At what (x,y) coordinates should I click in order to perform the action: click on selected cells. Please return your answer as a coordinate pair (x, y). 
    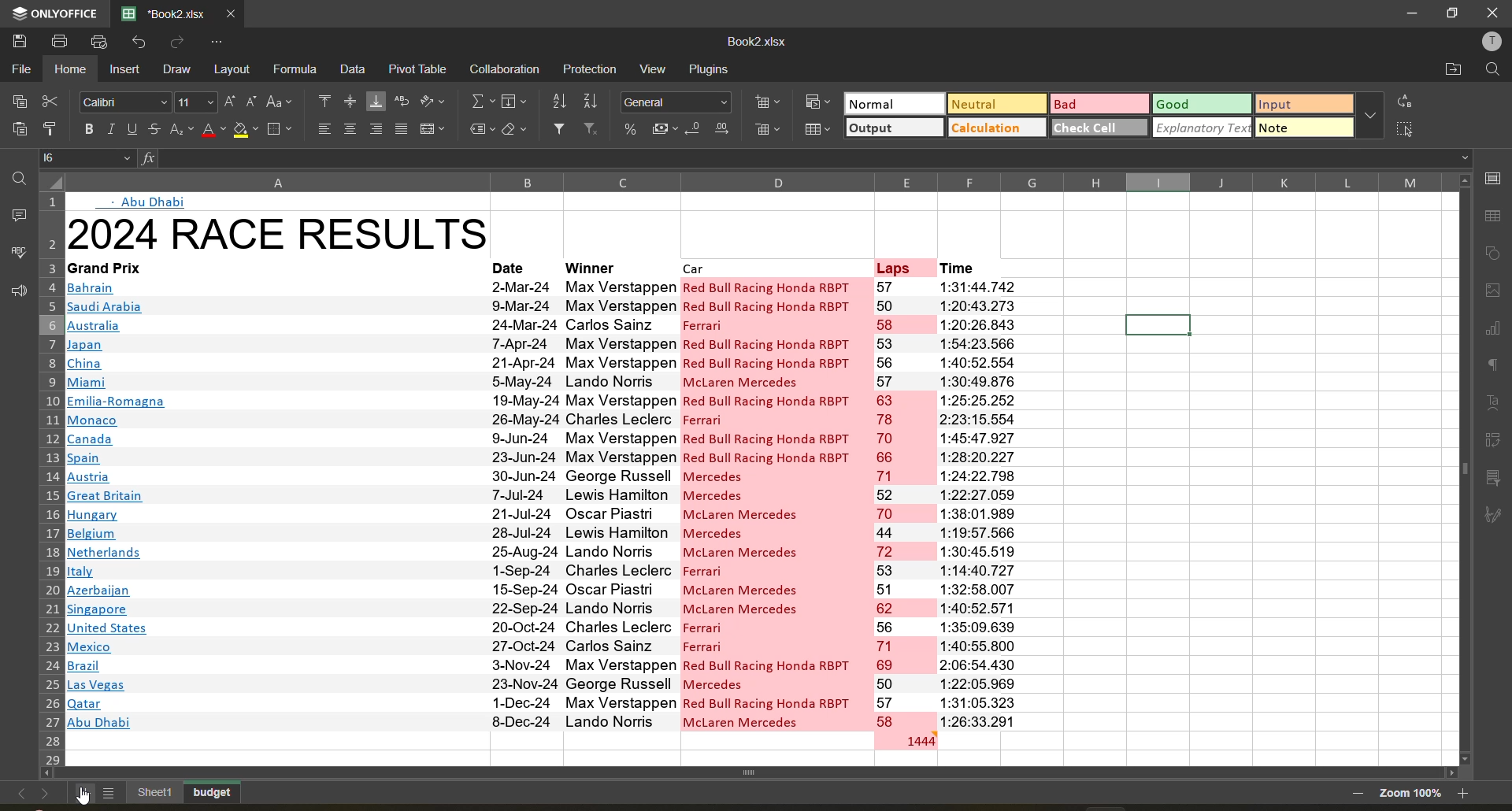
    Looking at the image, I should click on (1155, 325).